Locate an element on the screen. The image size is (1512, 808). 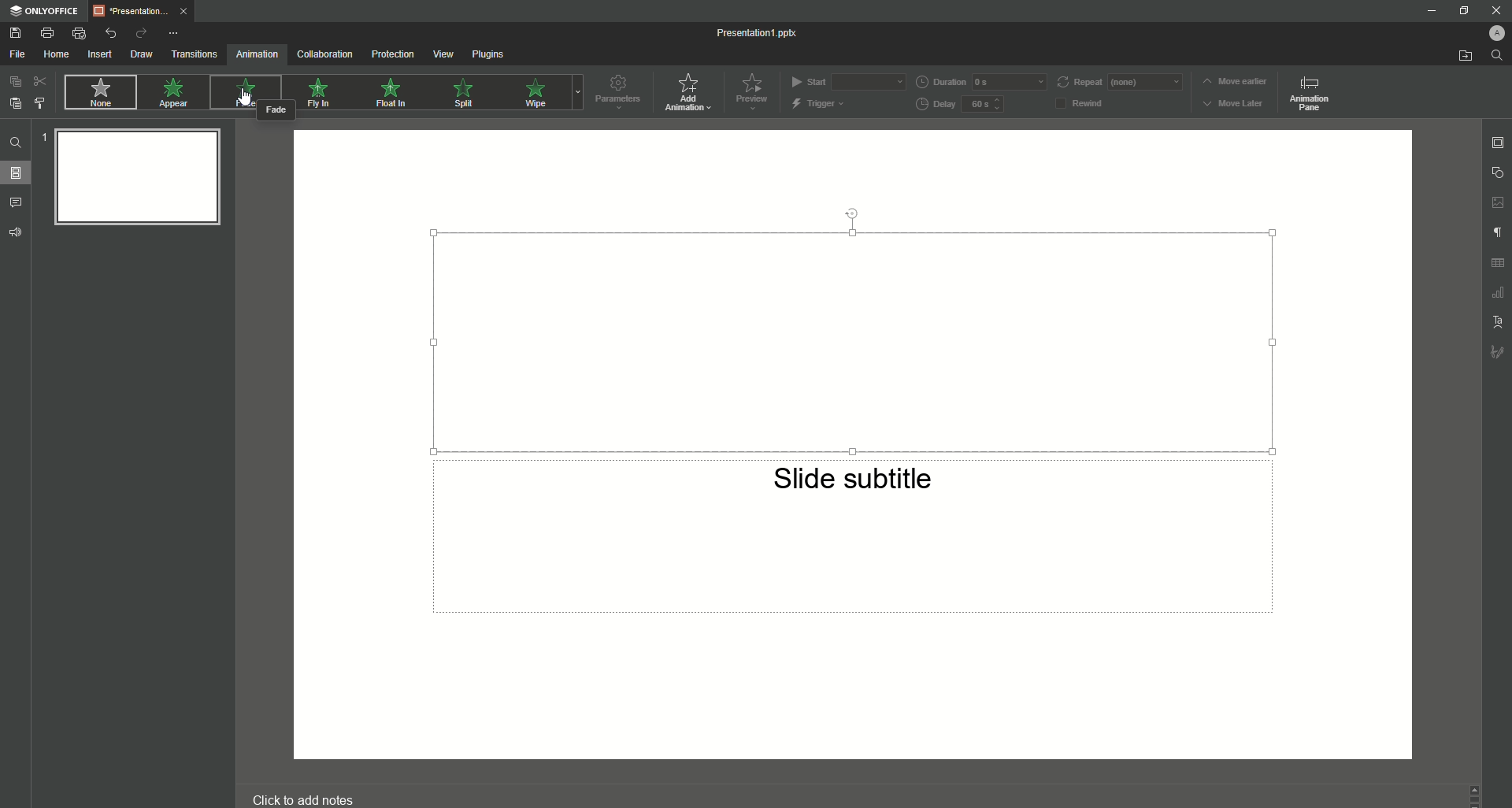
Redo is located at coordinates (137, 33).